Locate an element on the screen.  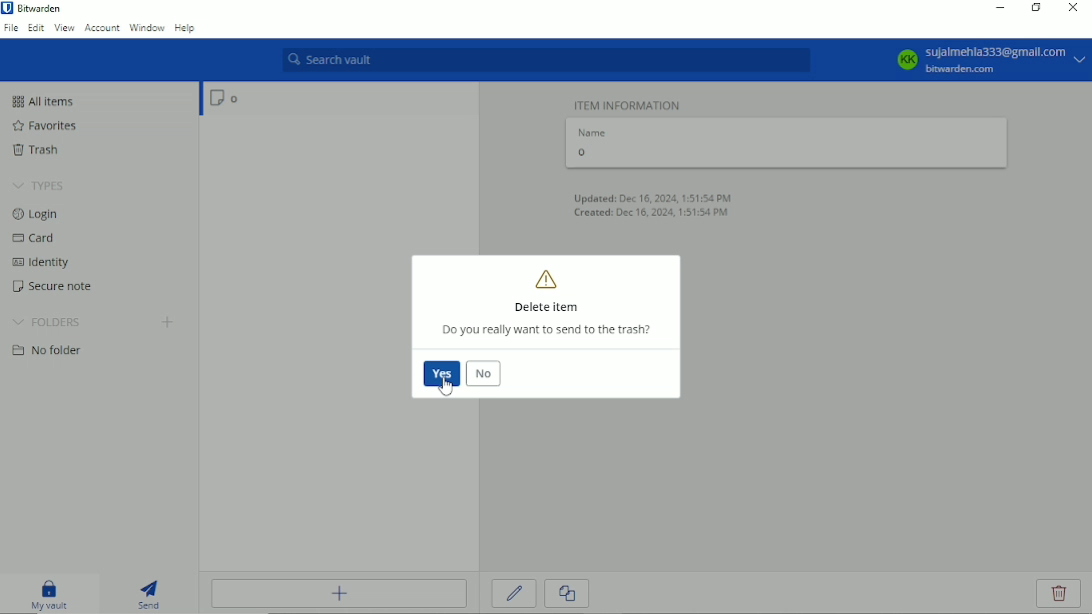
Name is located at coordinates (595, 132).